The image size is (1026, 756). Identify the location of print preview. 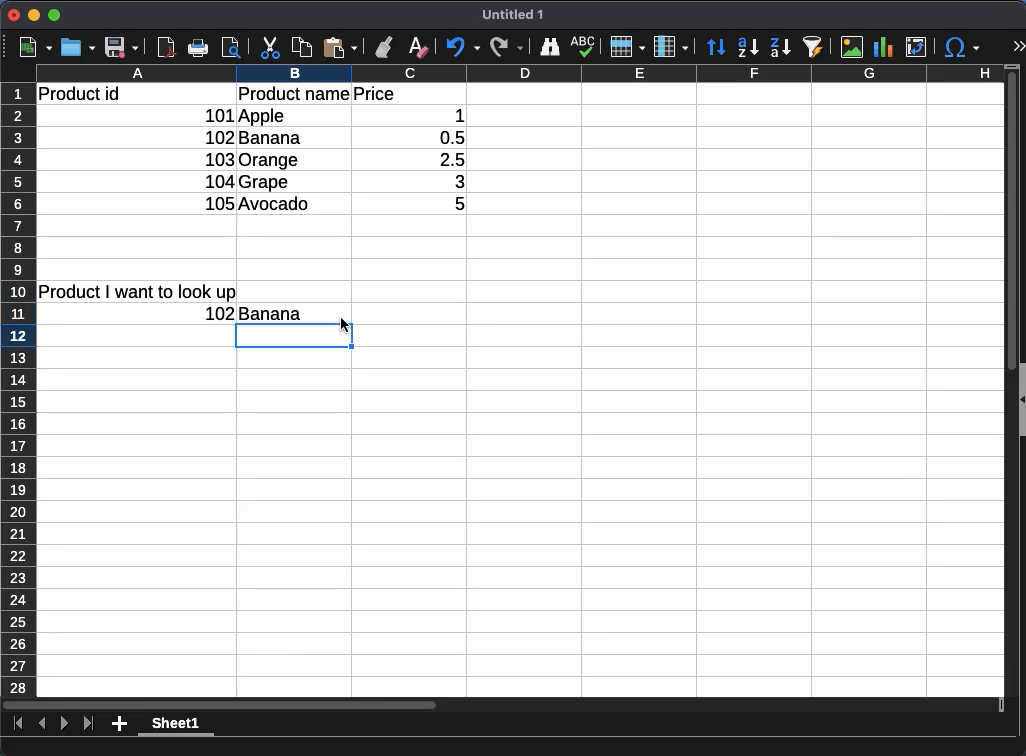
(231, 48).